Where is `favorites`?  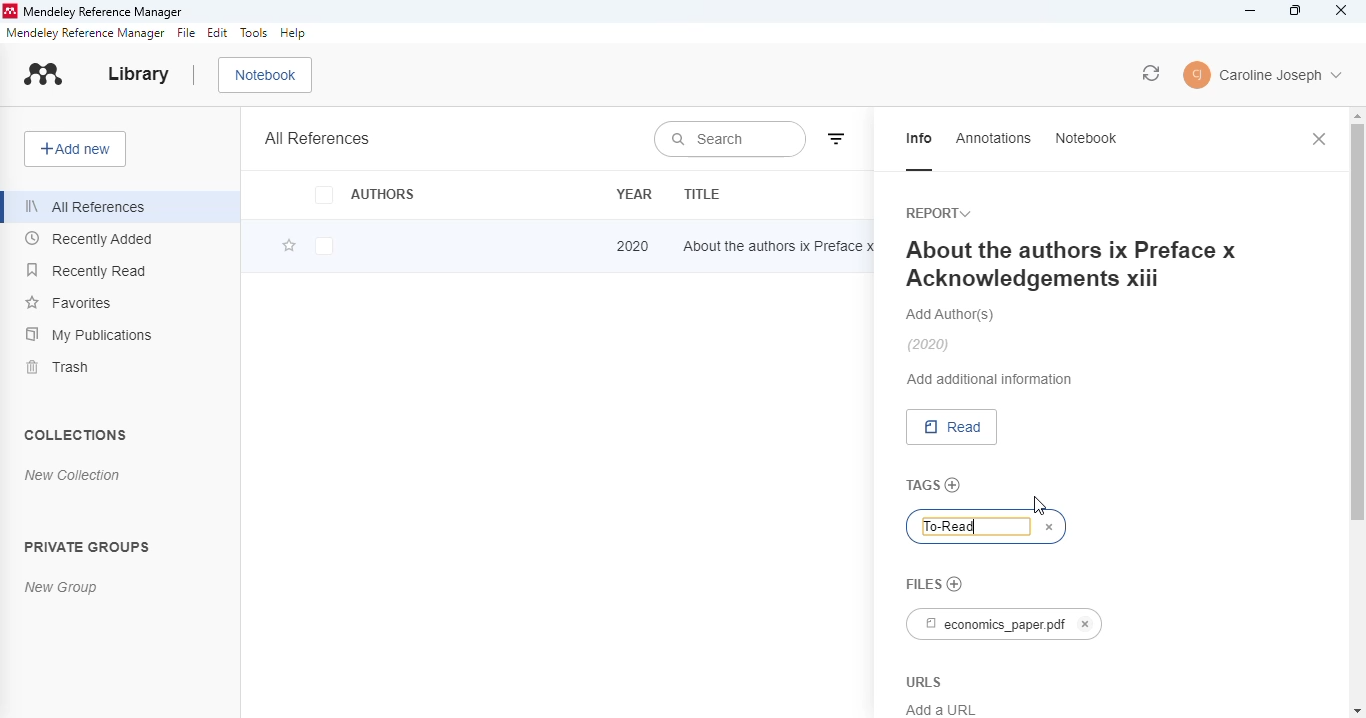
favorites is located at coordinates (68, 301).